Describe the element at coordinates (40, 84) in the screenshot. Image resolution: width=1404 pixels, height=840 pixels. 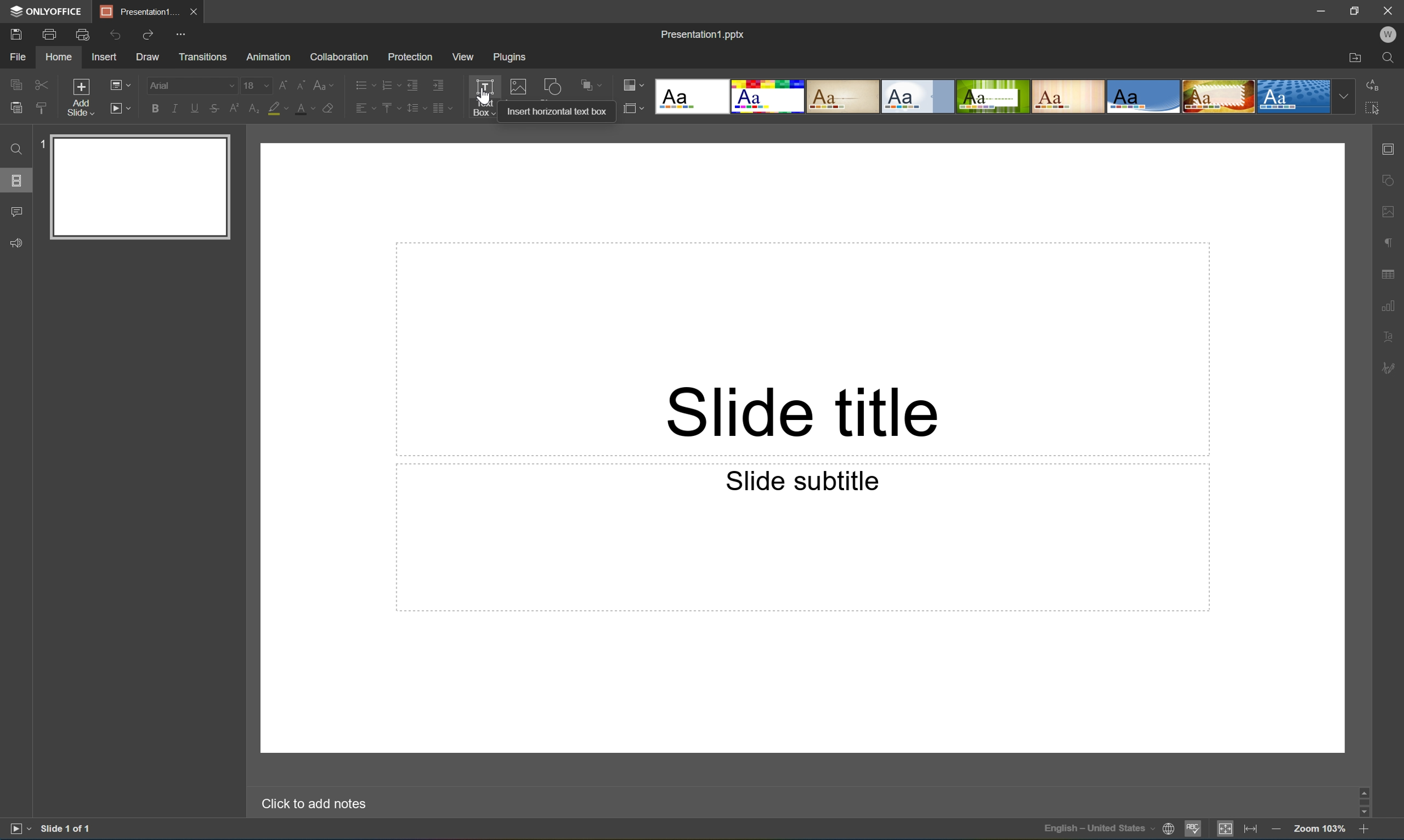
I see `Cut` at that location.